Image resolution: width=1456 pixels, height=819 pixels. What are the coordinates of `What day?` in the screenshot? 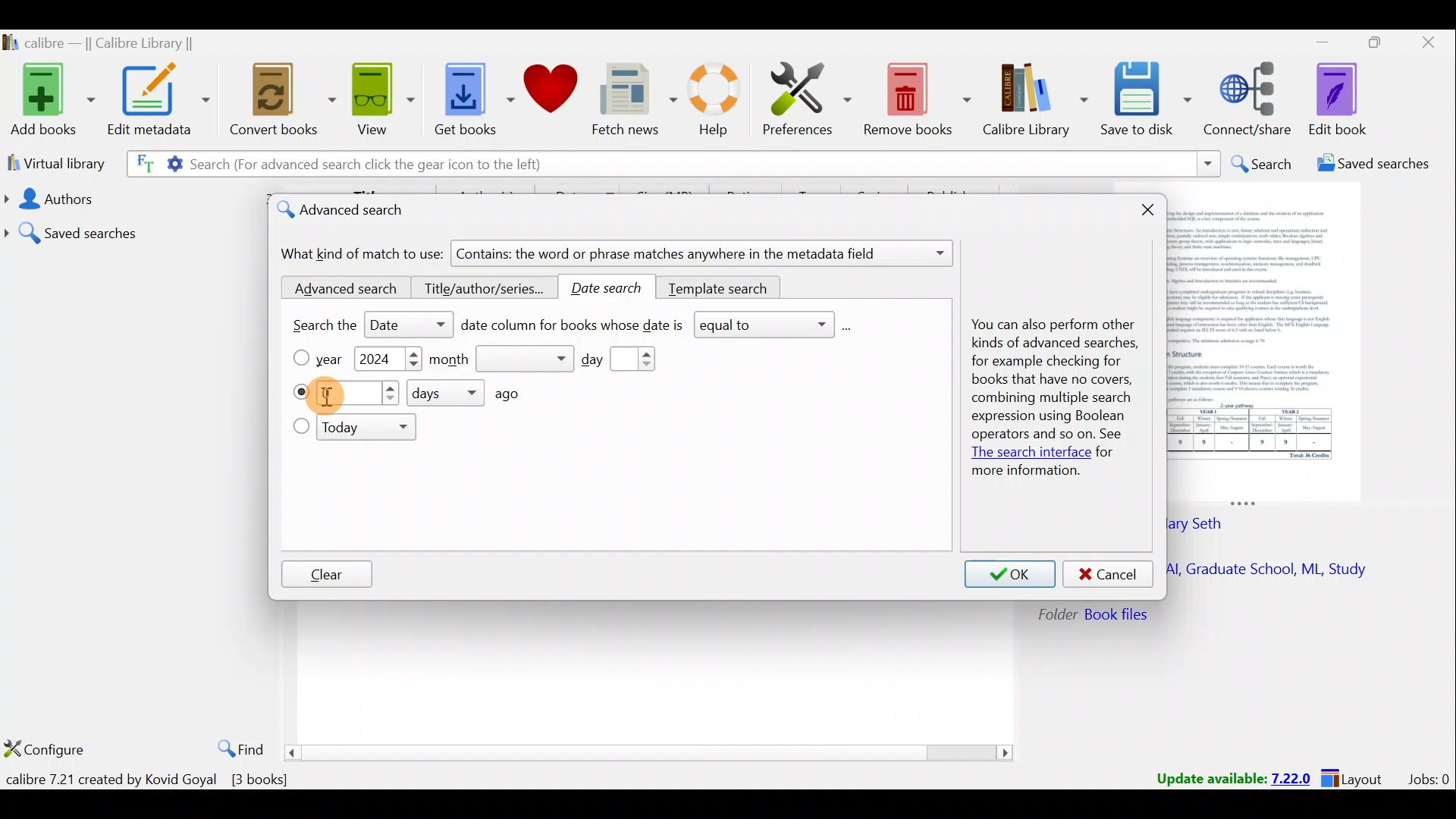 It's located at (360, 394).